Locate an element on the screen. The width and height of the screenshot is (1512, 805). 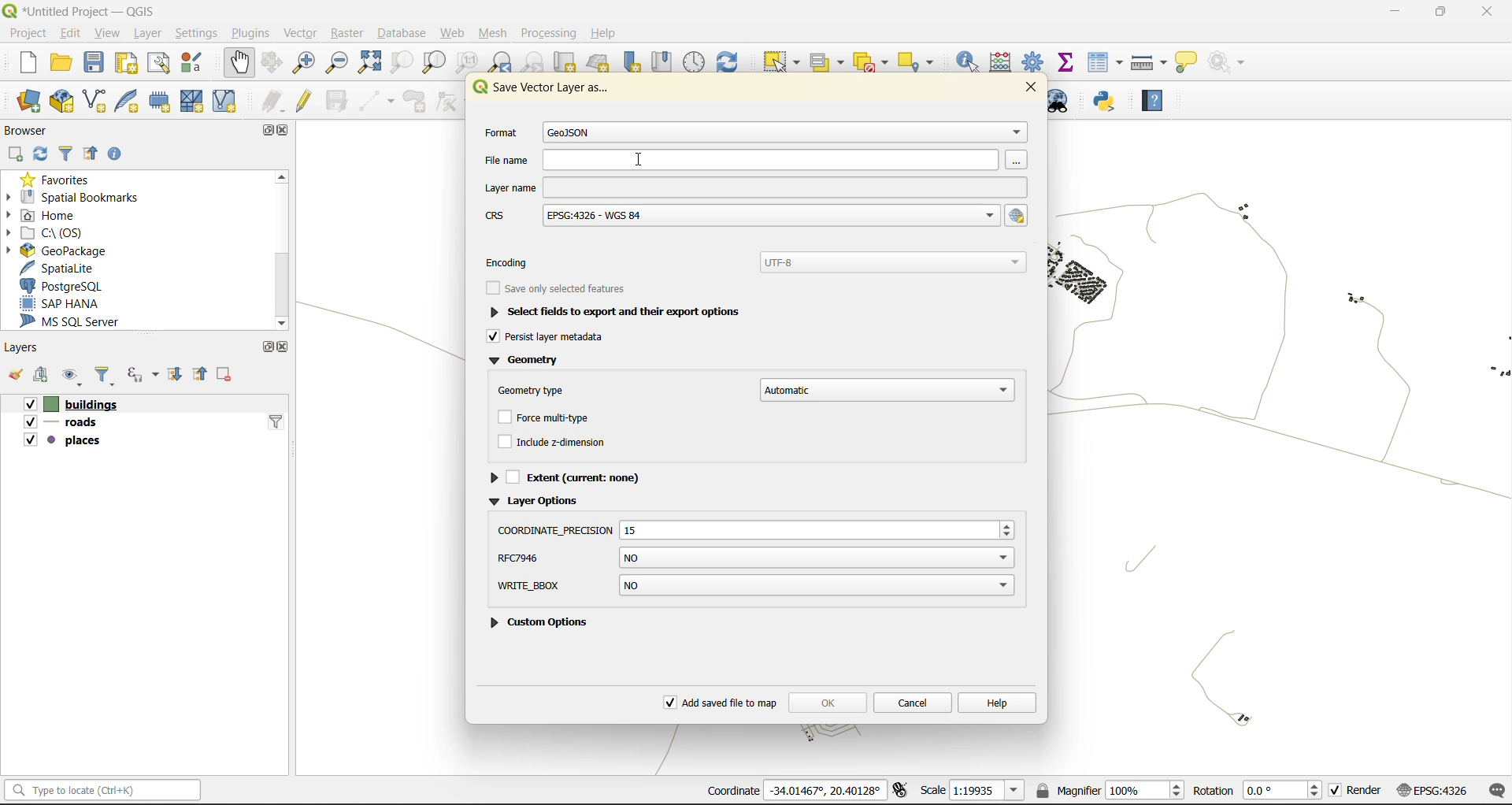
select fields to export and their export options is located at coordinates (611, 311).